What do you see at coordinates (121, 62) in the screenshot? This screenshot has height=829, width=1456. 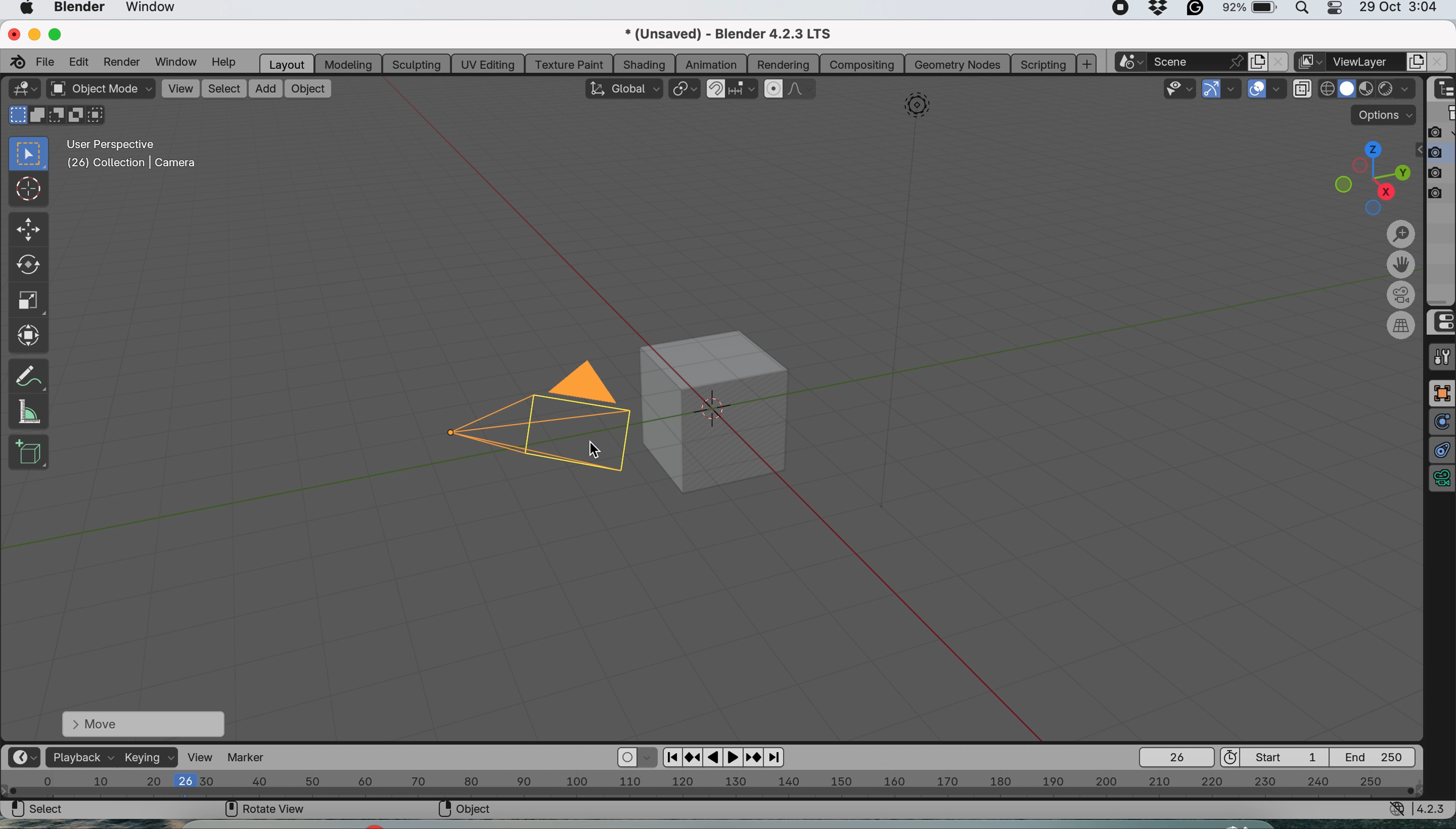 I see `render` at bounding box center [121, 62].